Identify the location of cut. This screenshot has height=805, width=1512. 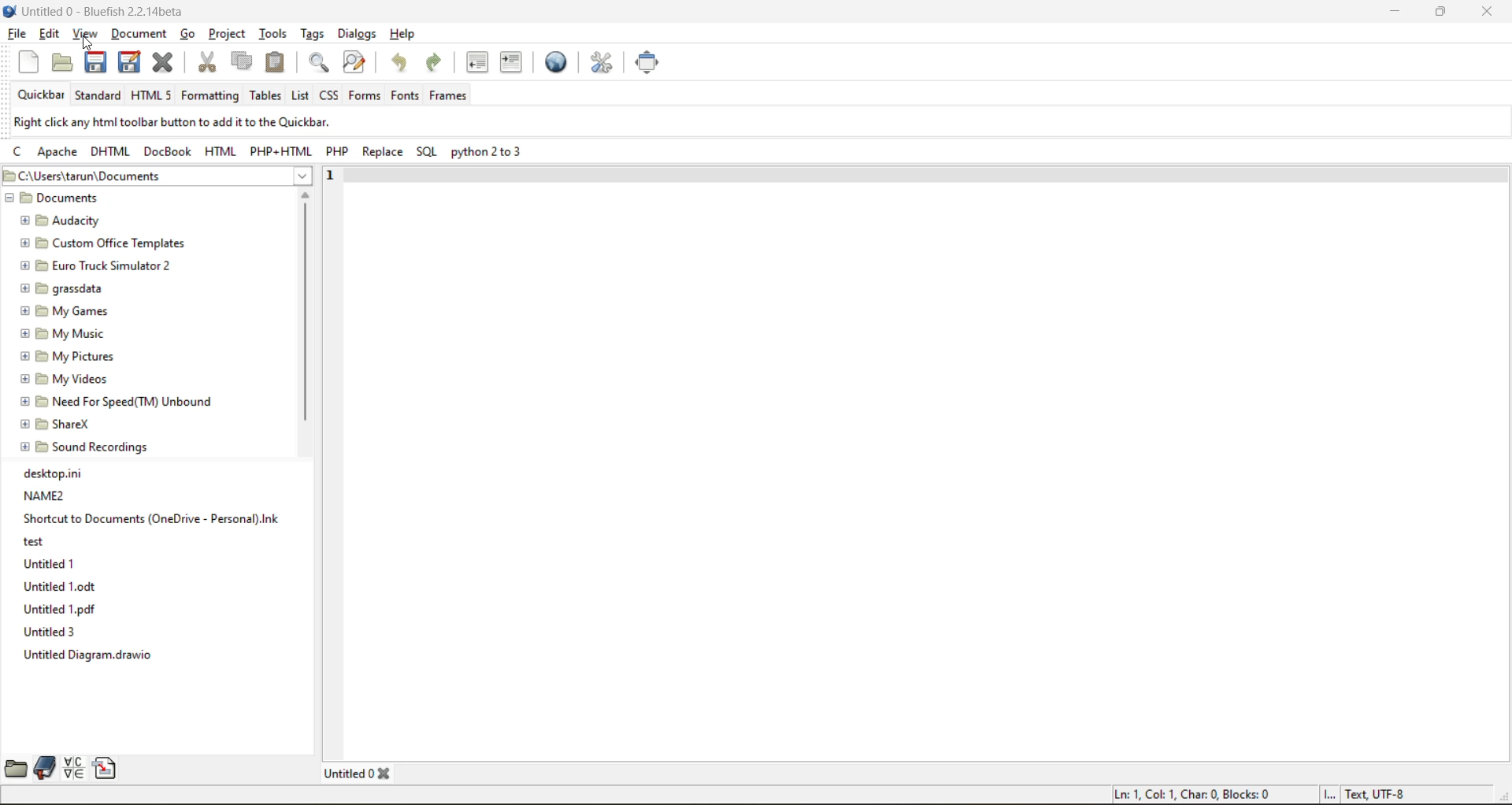
(208, 64).